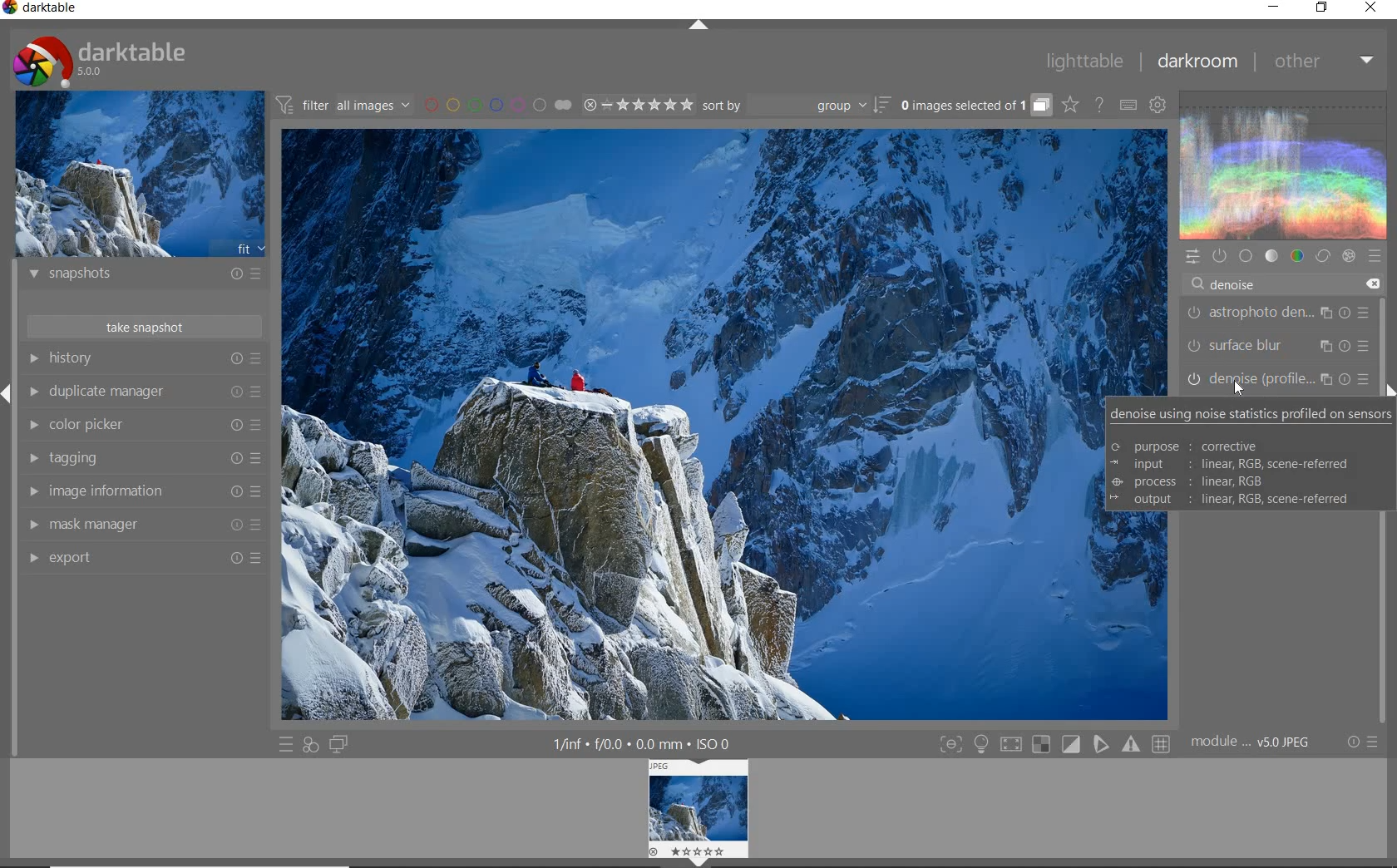  I want to click on show global preferences, so click(1158, 104).